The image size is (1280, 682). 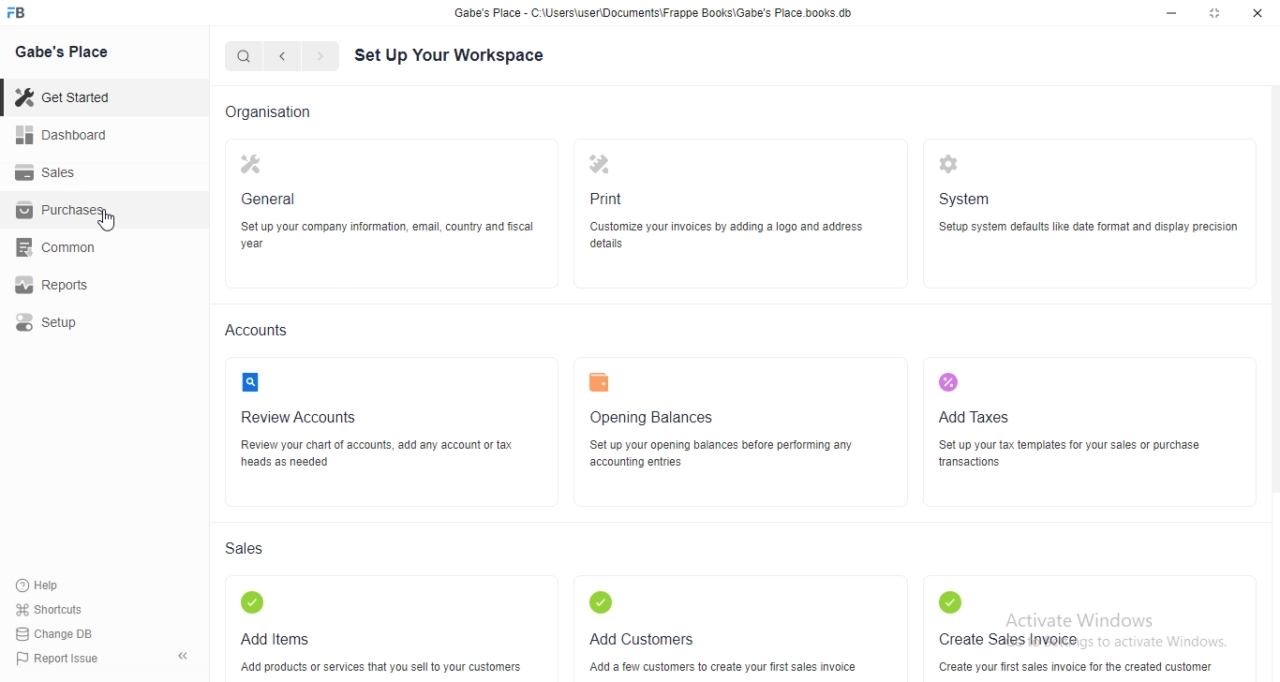 What do you see at coordinates (104, 322) in the screenshot?
I see `Setup` at bounding box center [104, 322].